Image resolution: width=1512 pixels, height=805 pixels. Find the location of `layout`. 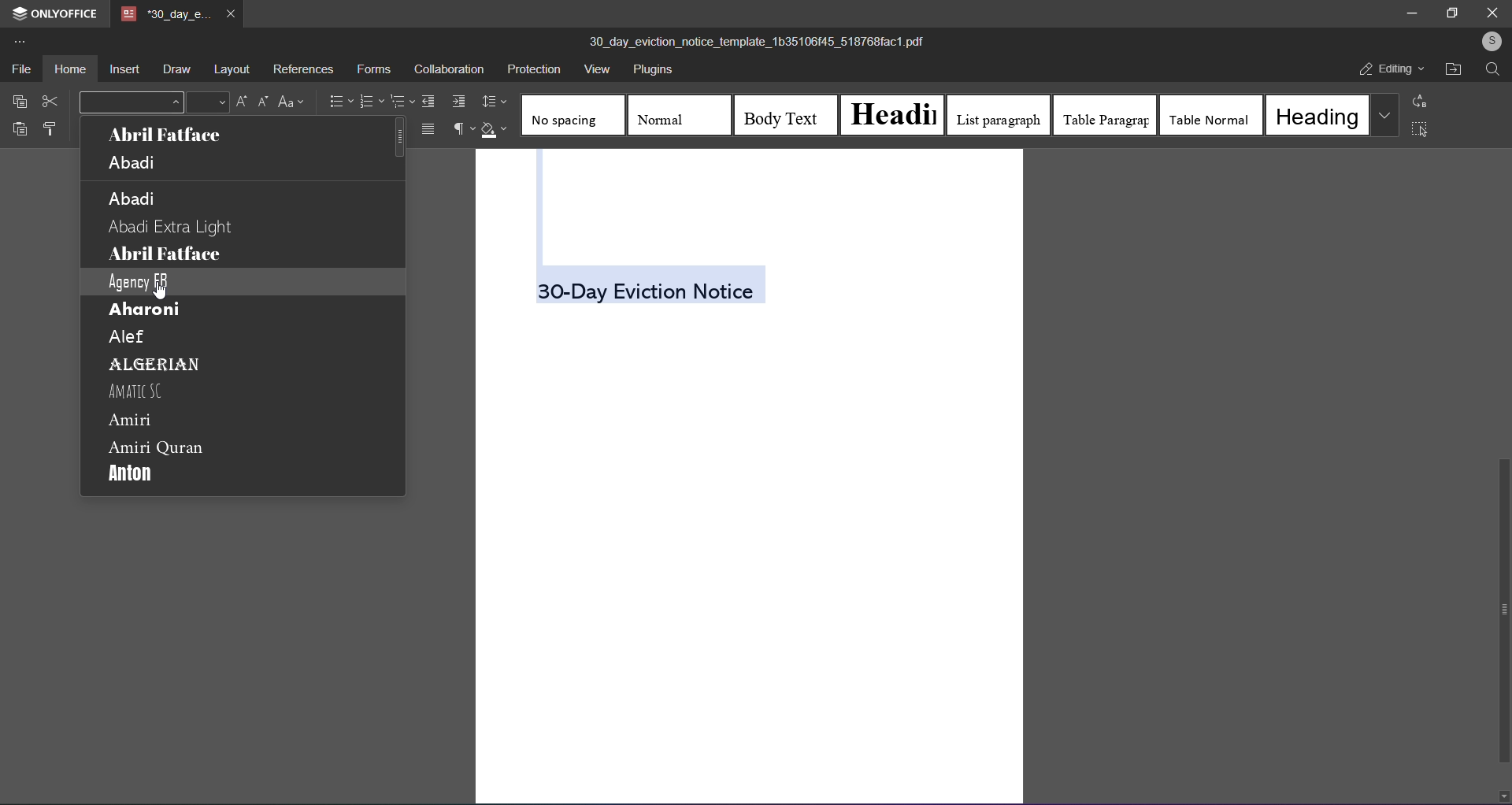

layout is located at coordinates (230, 70).